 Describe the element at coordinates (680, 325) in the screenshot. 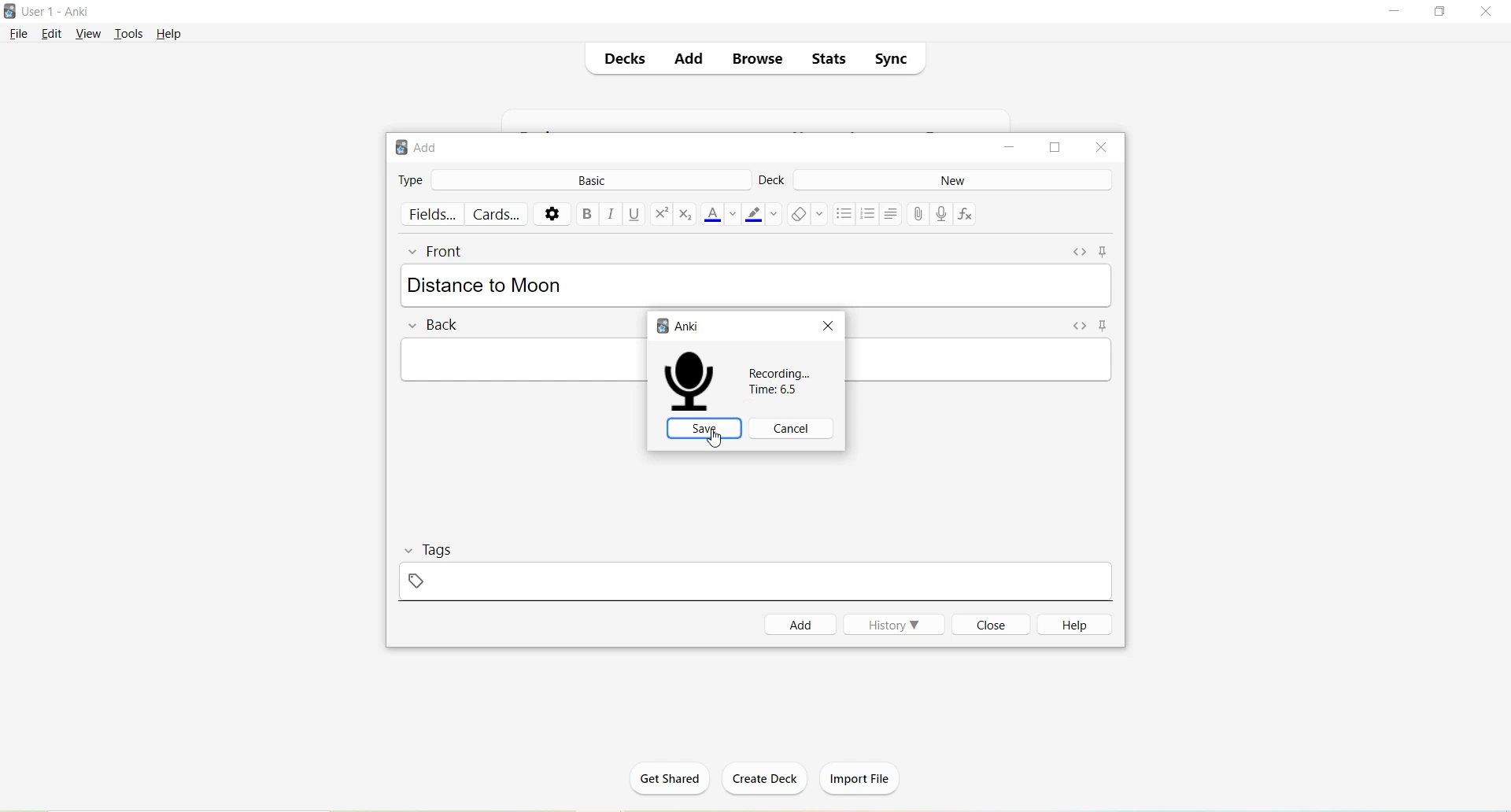

I see `Anki` at that location.